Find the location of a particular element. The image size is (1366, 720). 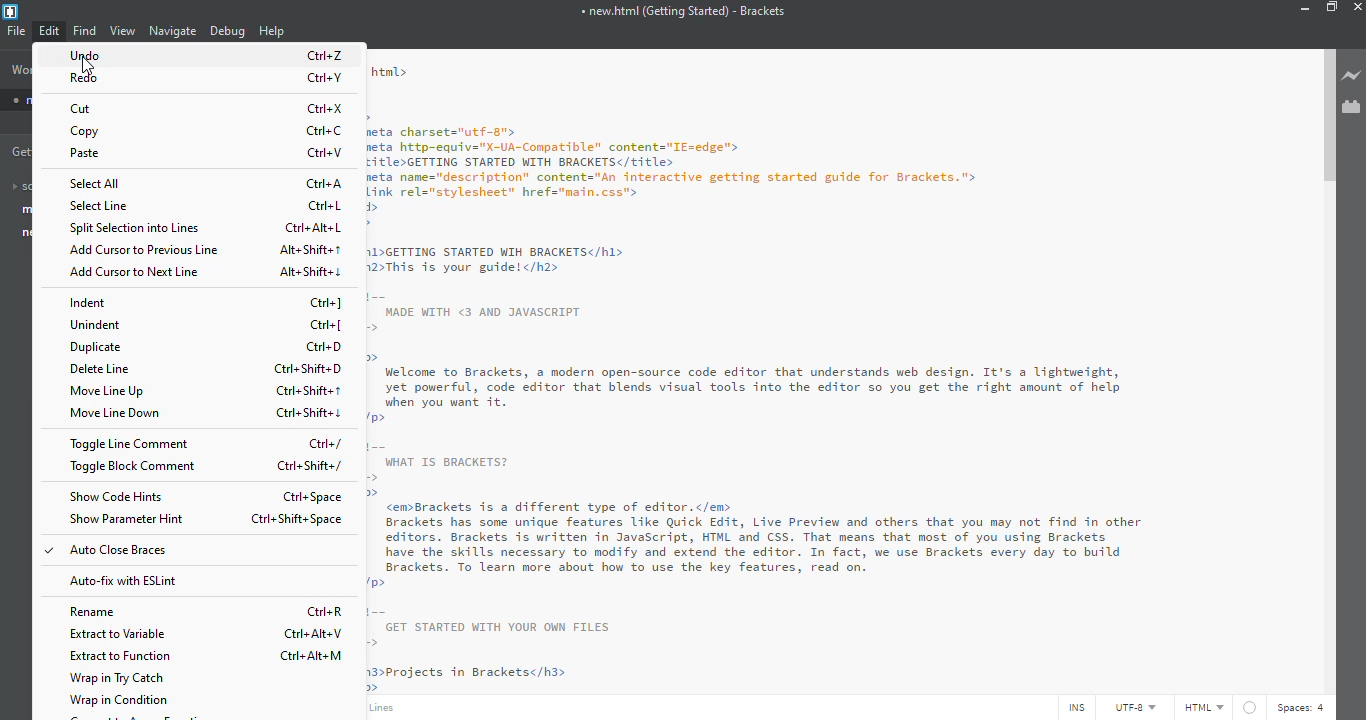

file is located at coordinates (16, 30).